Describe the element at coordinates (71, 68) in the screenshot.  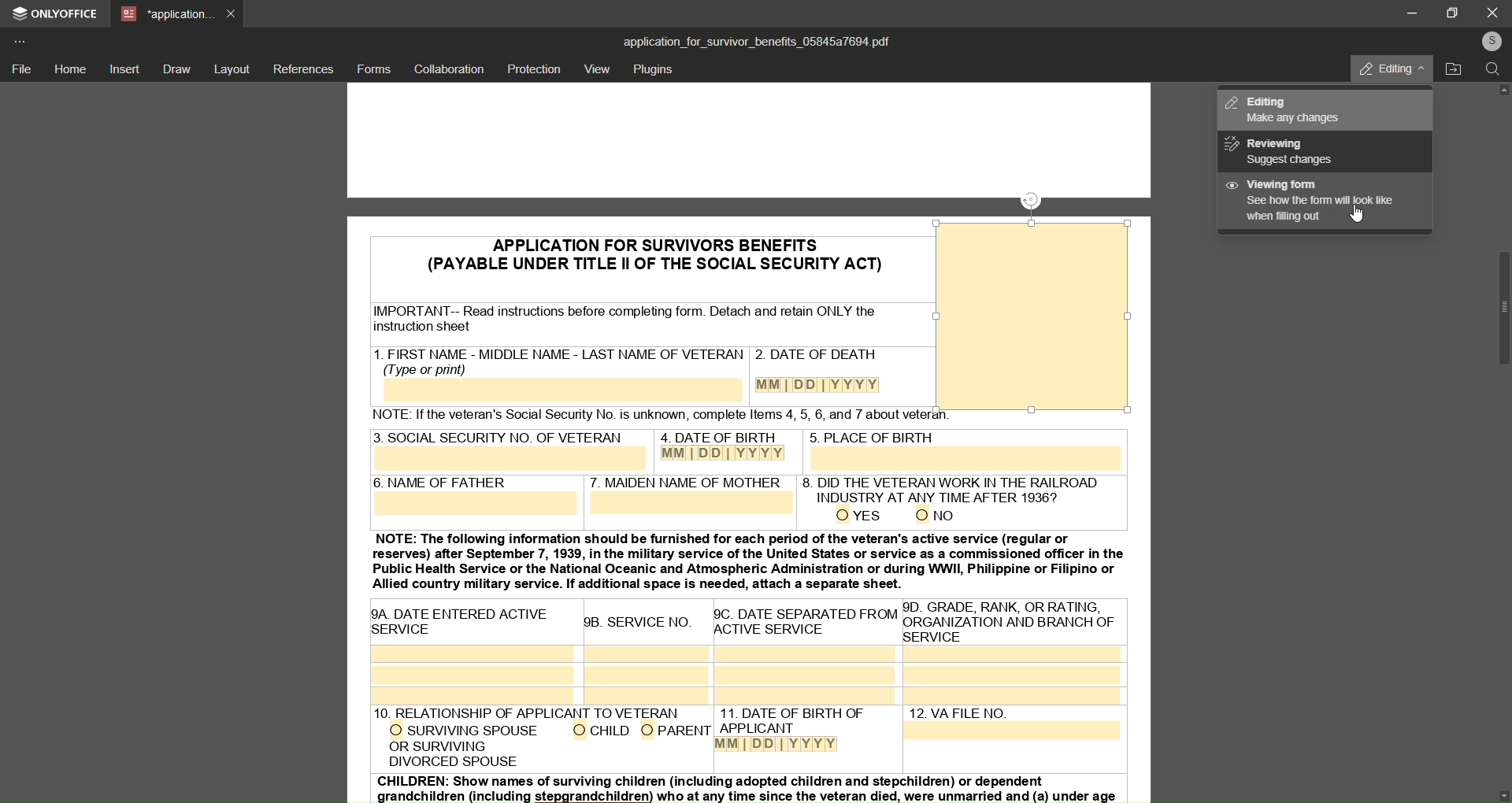
I see `home` at that location.